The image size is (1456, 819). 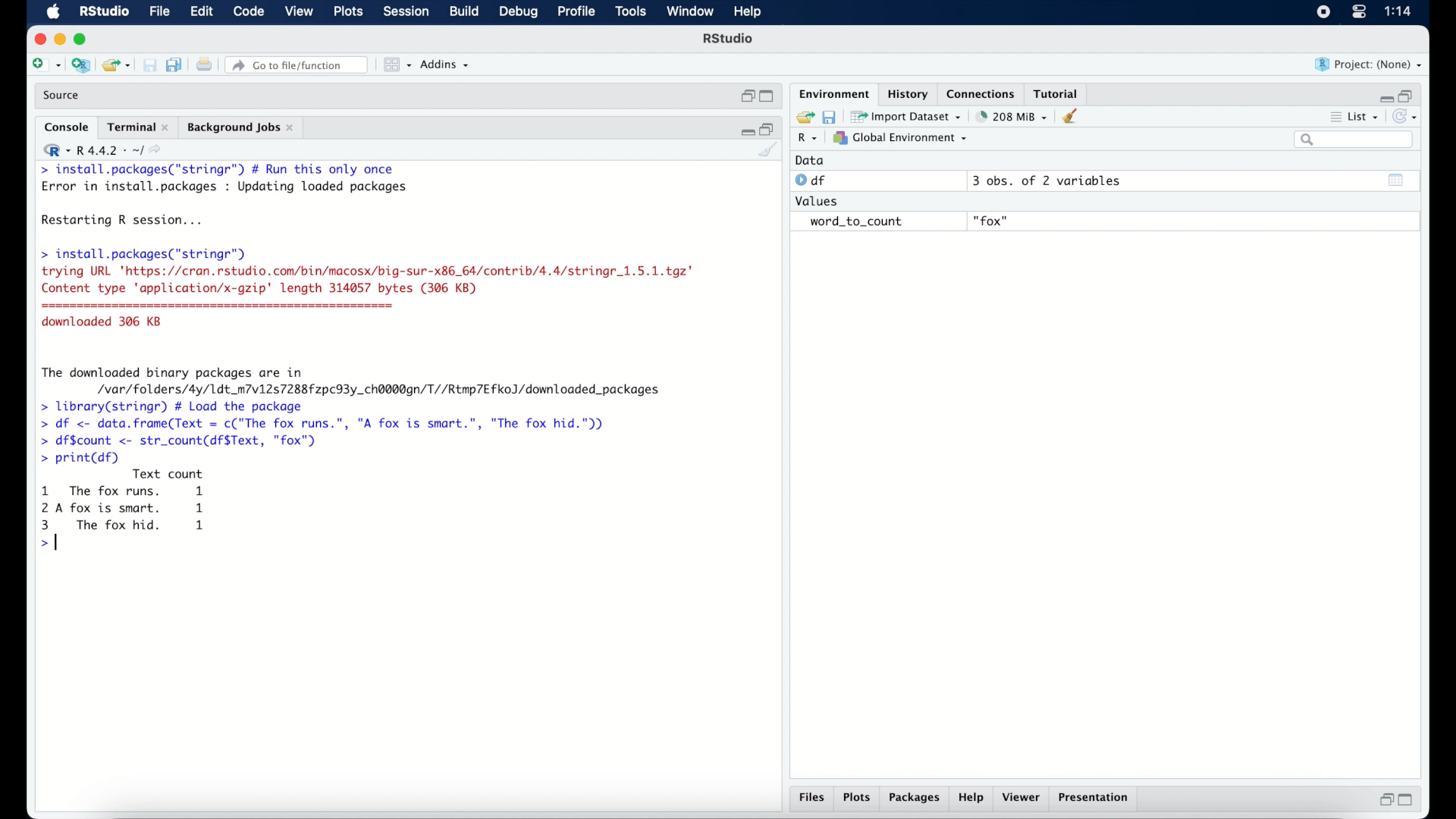 I want to click on save all document, so click(x=177, y=66).